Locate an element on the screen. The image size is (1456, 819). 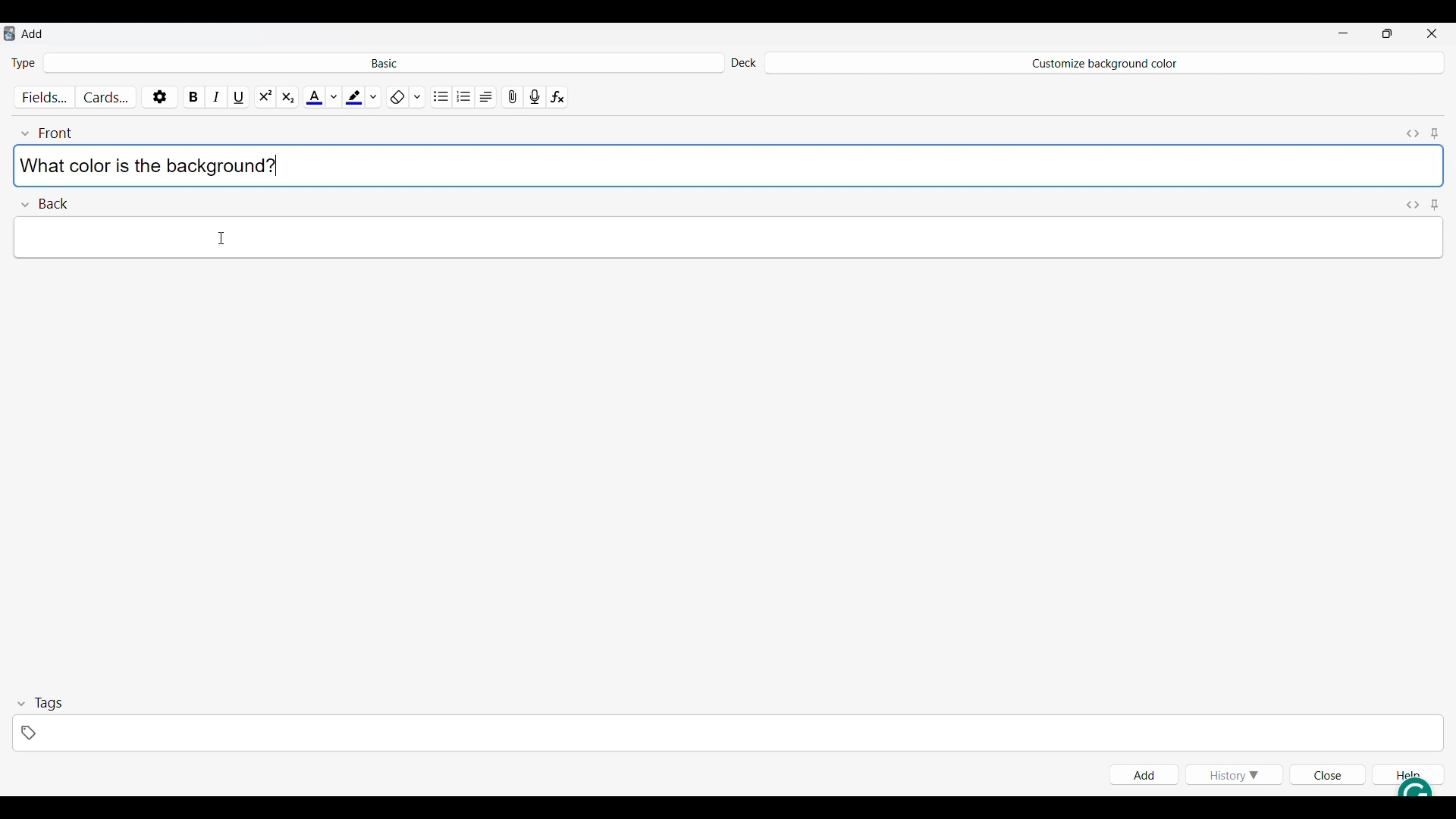
Selected text color is located at coordinates (313, 95).